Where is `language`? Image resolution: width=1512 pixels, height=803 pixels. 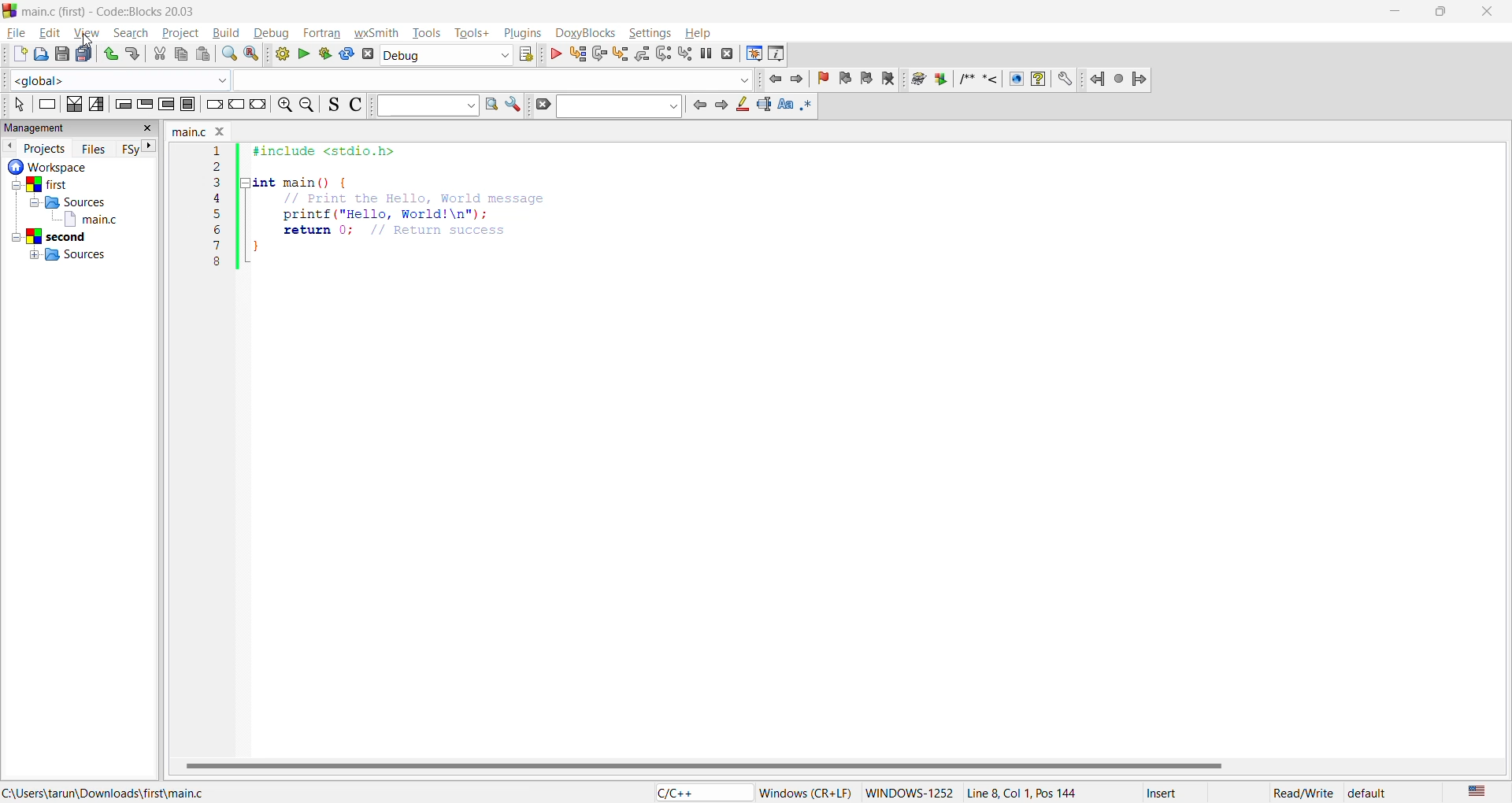
language is located at coordinates (704, 791).